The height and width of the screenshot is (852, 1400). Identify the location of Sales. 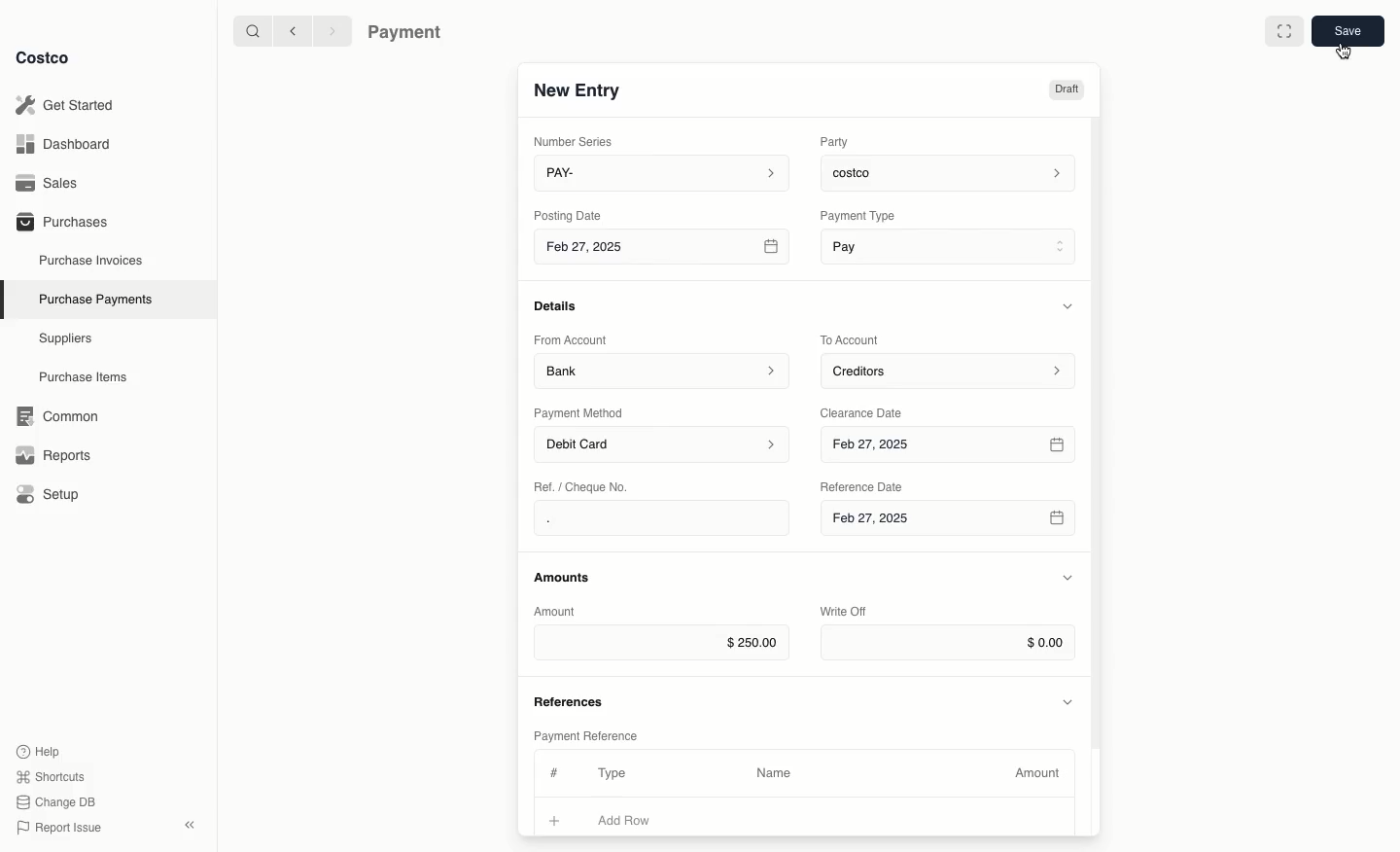
(53, 183).